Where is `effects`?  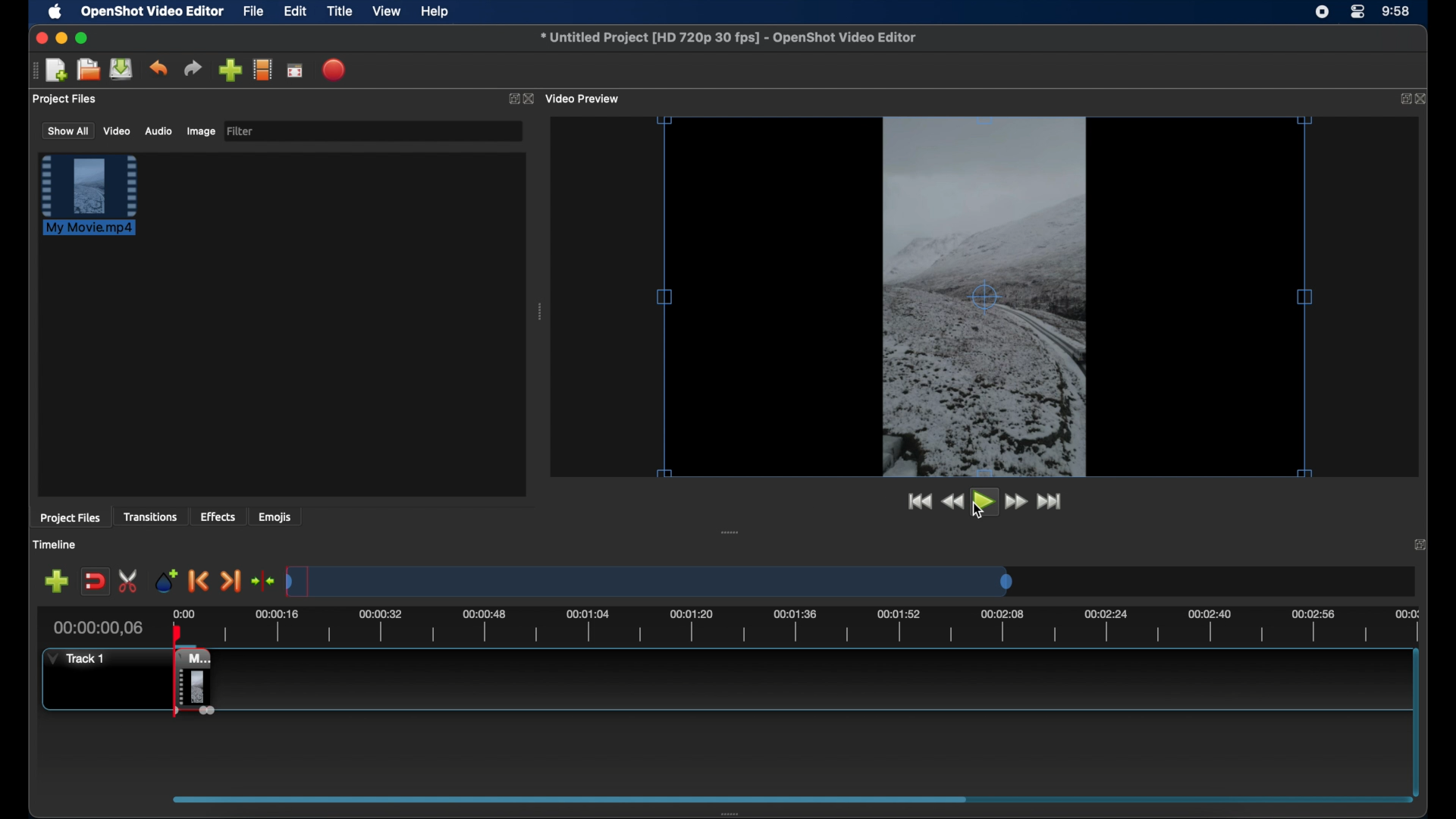 effects is located at coordinates (218, 516).